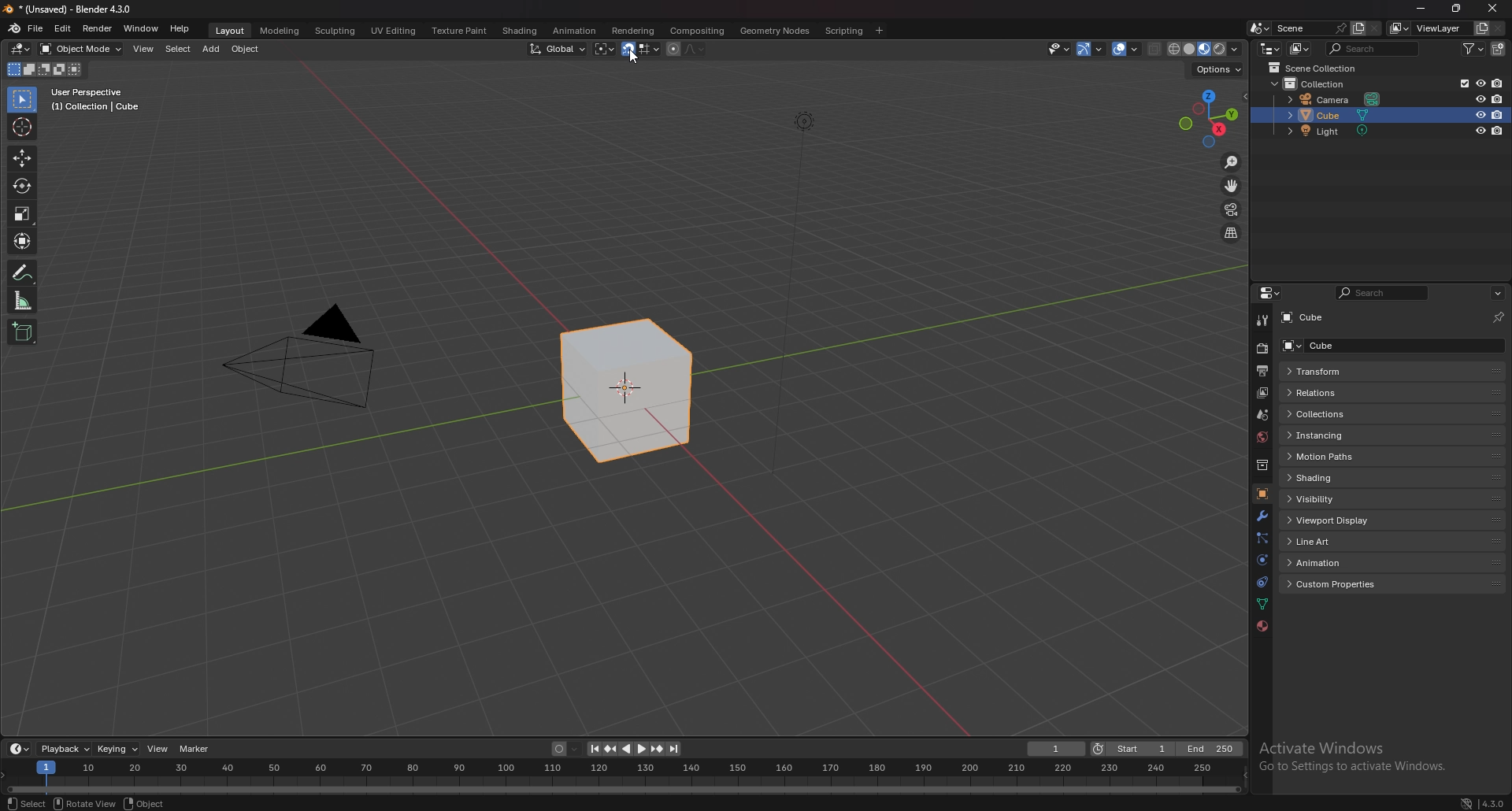 The width and height of the screenshot is (1512, 811). Describe the element at coordinates (1262, 371) in the screenshot. I see `output` at that location.